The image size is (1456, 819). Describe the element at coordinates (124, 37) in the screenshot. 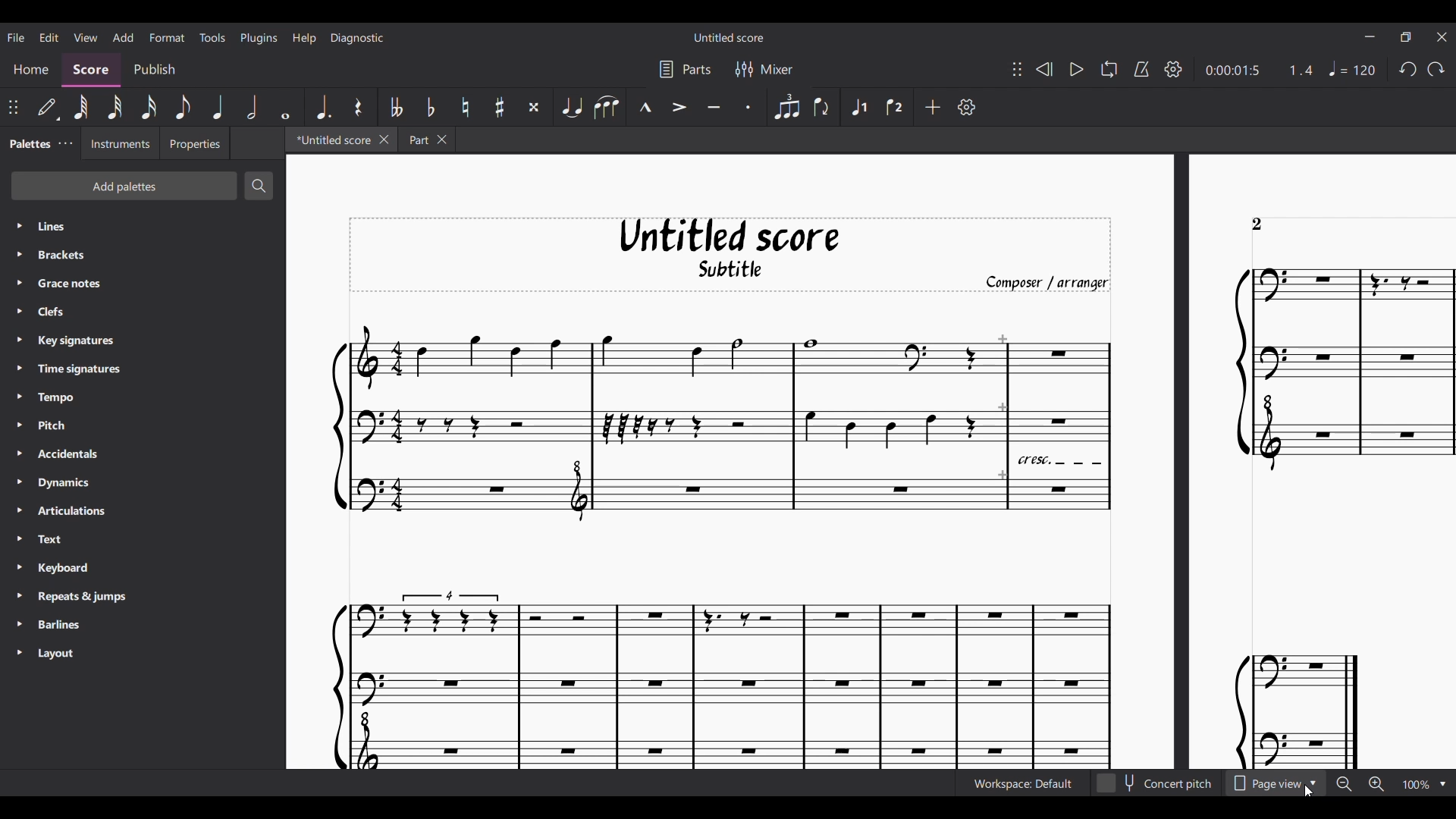

I see `Add menu` at that location.